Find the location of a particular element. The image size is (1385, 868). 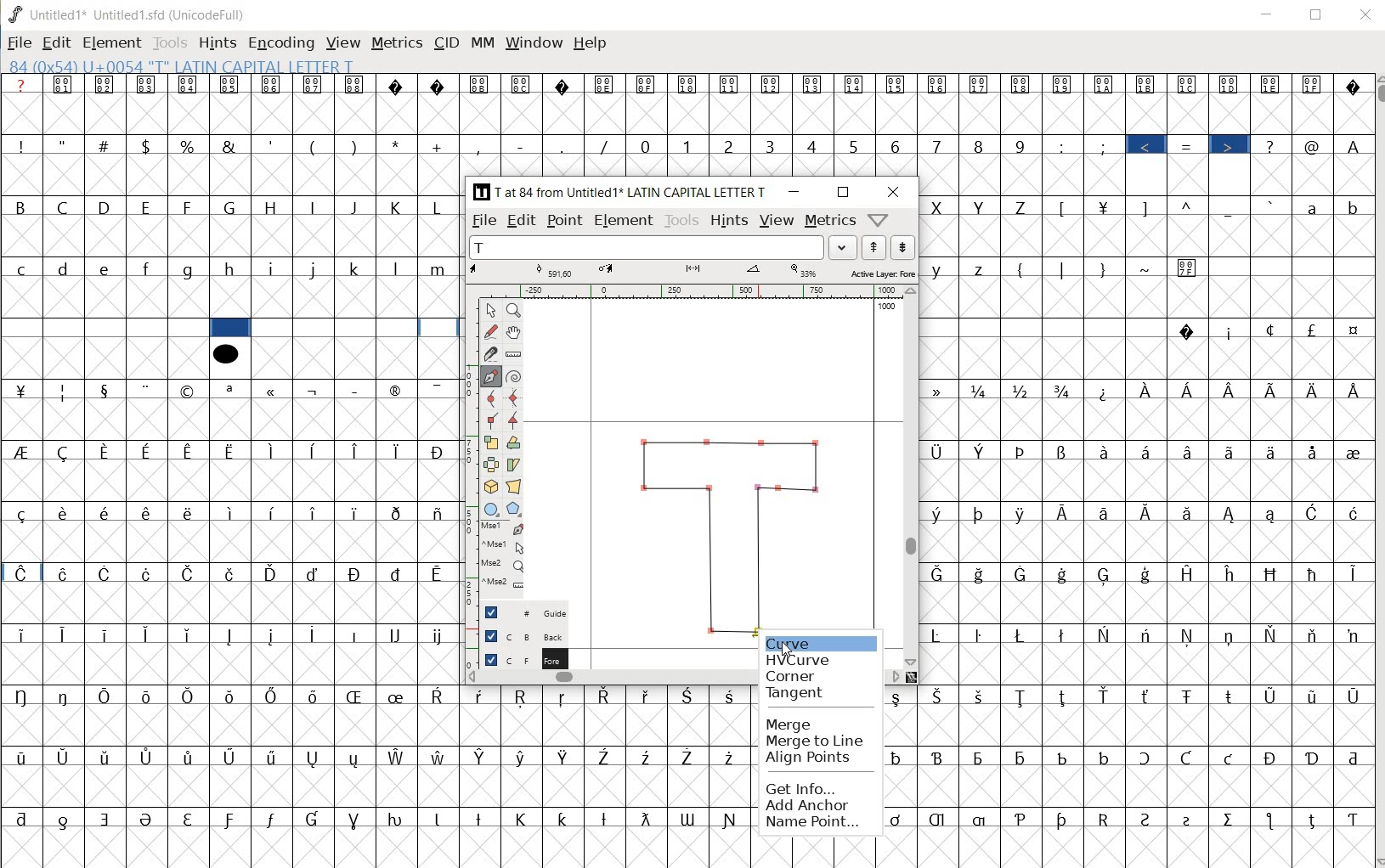

Symbol is located at coordinates (107, 86).